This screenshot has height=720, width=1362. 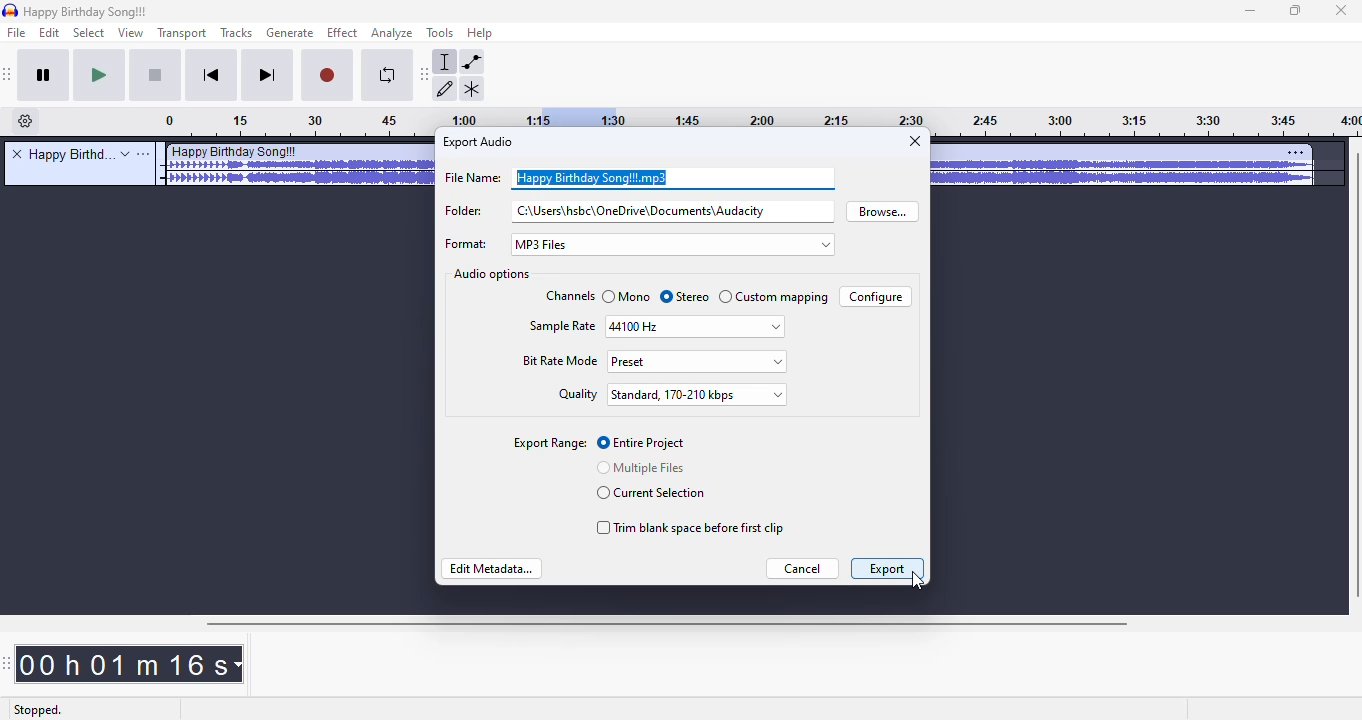 I want to click on timeline, so click(x=773, y=117).